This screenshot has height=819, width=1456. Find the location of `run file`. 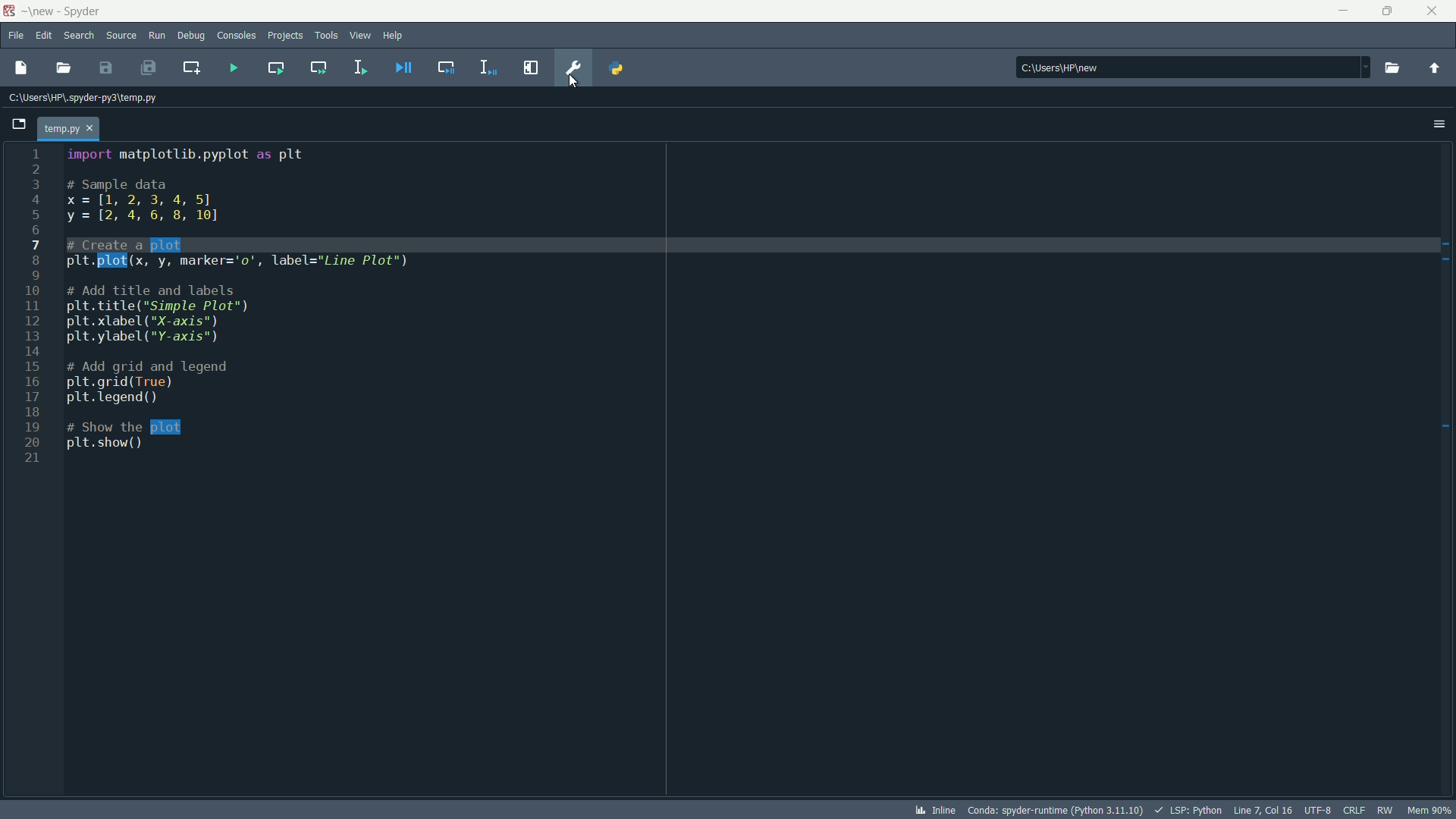

run file is located at coordinates (233, 70).